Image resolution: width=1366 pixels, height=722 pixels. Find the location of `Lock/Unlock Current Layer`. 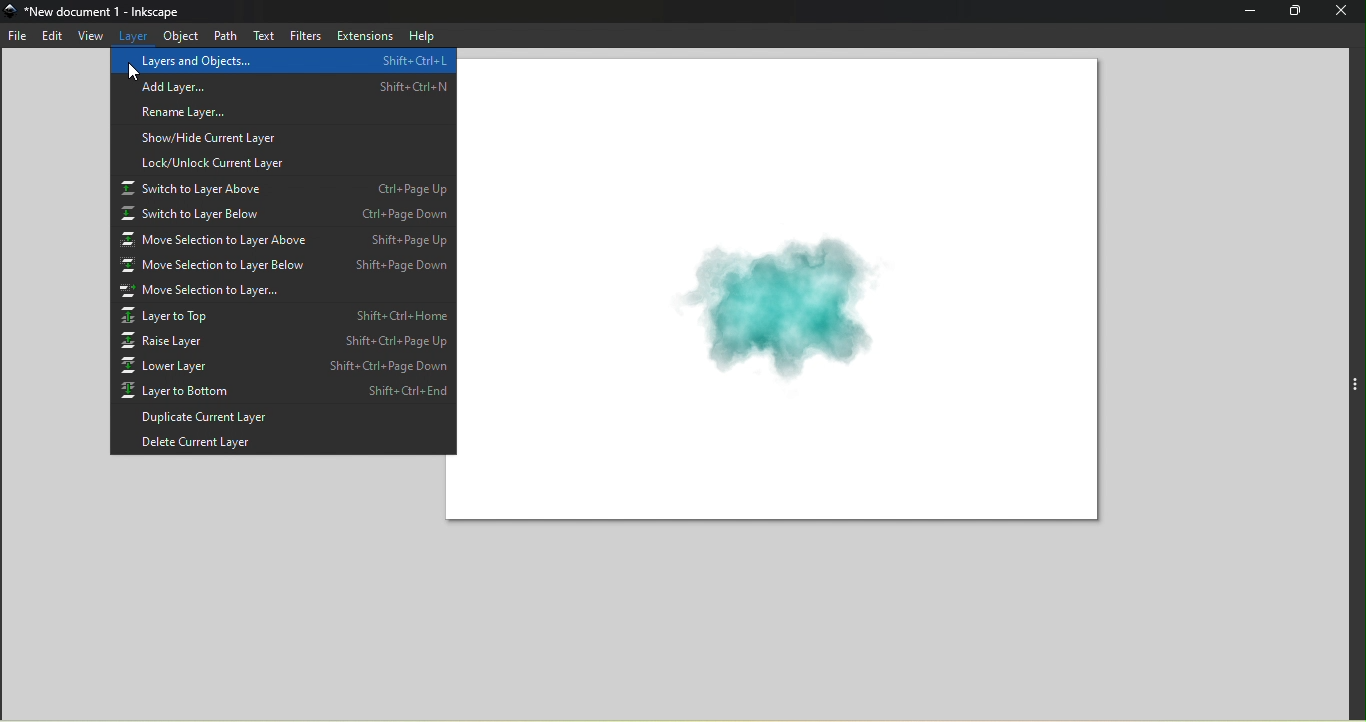

Lock/Unlock Current Layer is located at coordinates (283, 162).